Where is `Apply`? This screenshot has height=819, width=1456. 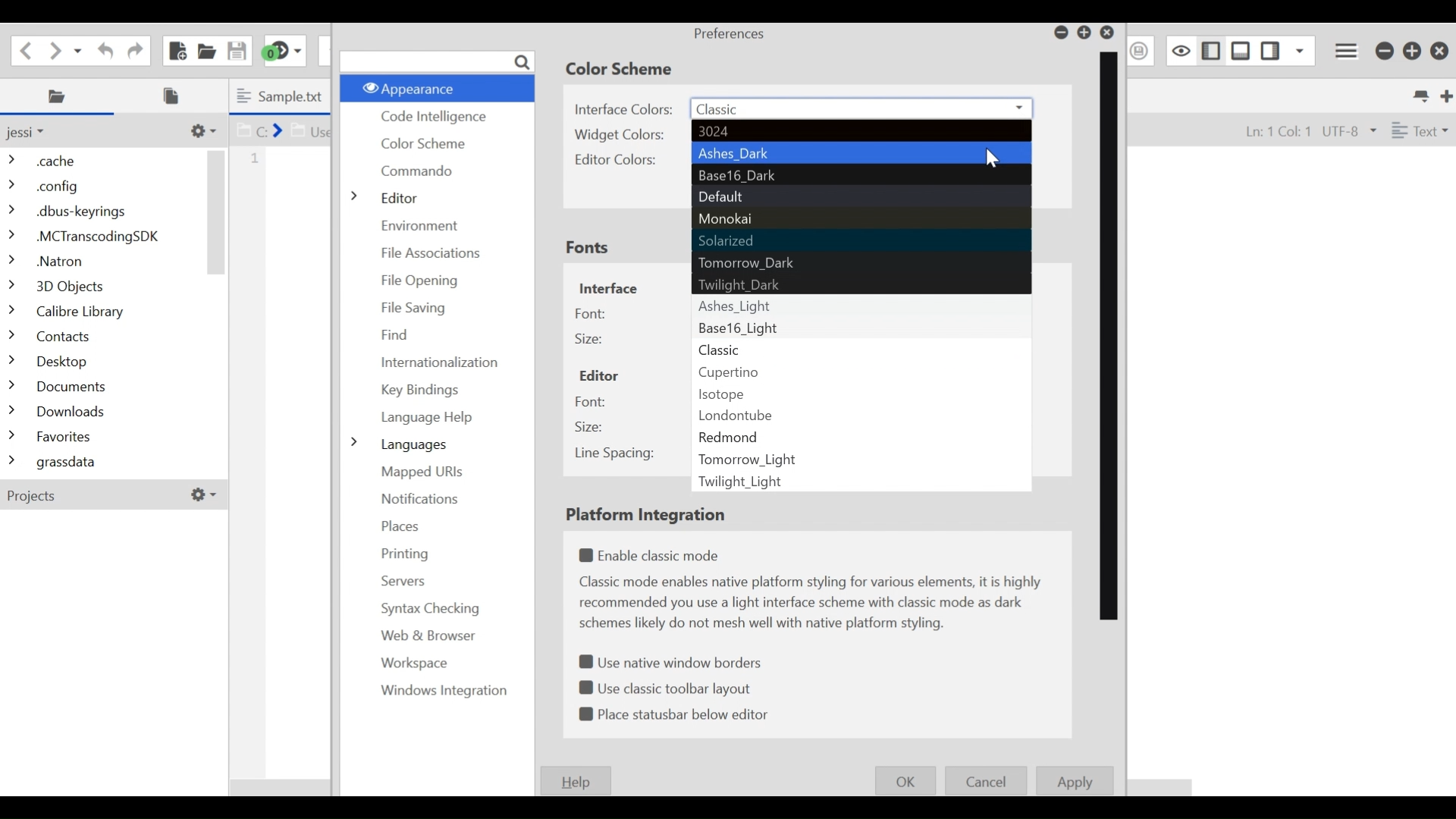 Apply is located at coordinates (1075, 781).